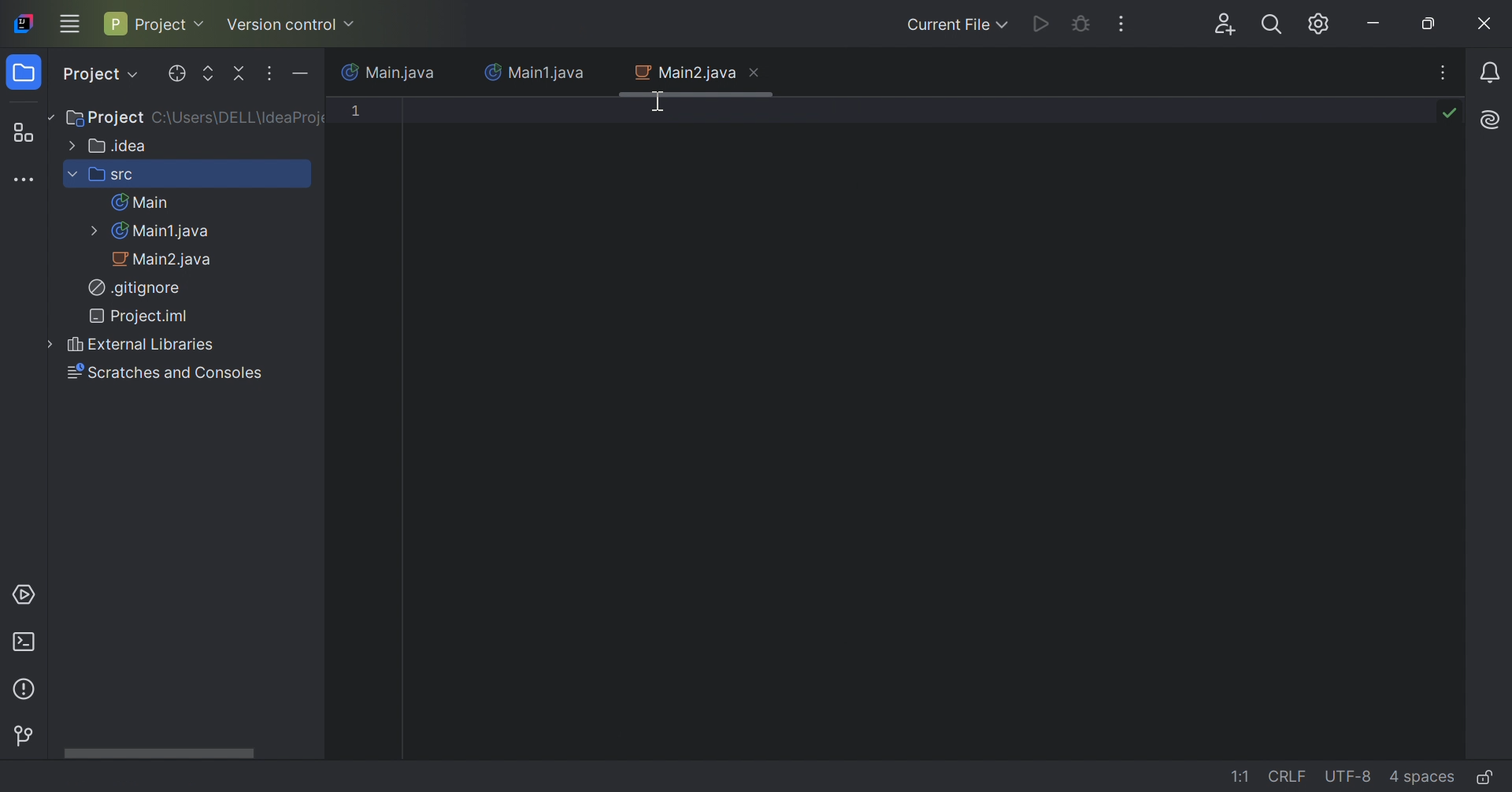  What do you see at coordinates (154, 22) in the screenshot?
I see `Project` at bounding box center [154, 22].